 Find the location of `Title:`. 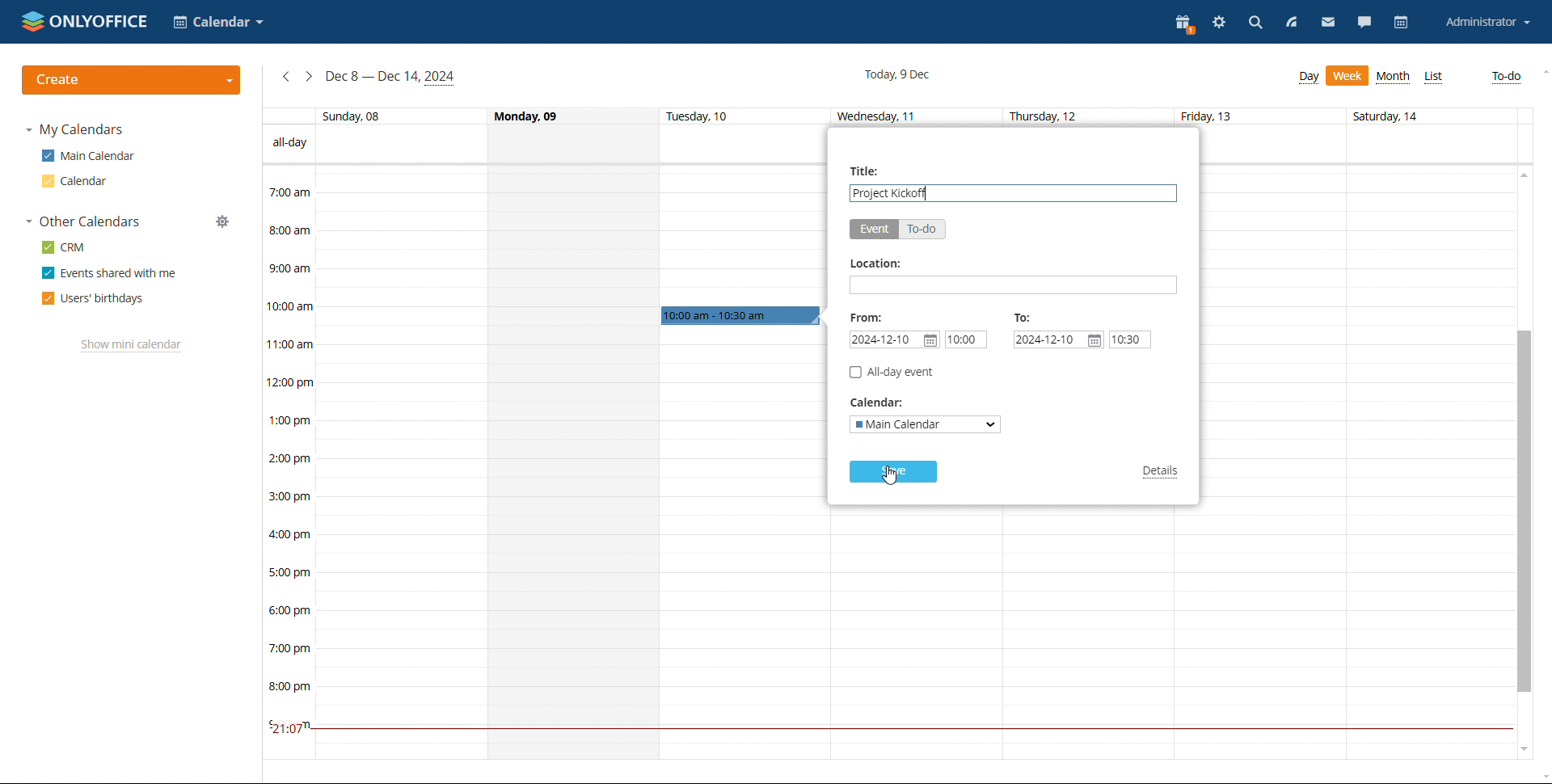

Title: is located at coordinates (868, 171).